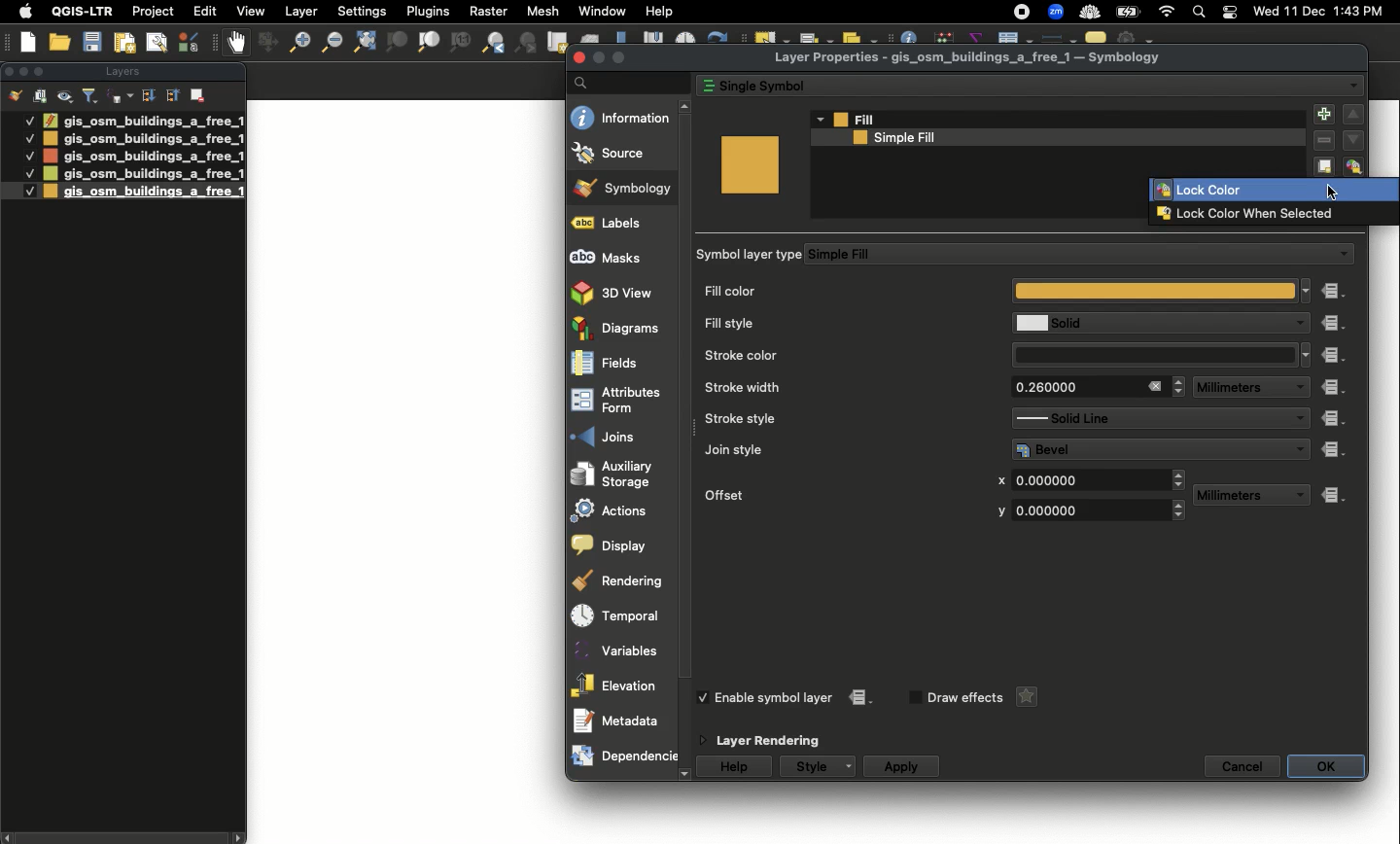 This screenshot has width=1400, height=844. What do you see at coordinates (1326, 766) in the screenshot?
I see `OK` at bounding box center [1326, 766].